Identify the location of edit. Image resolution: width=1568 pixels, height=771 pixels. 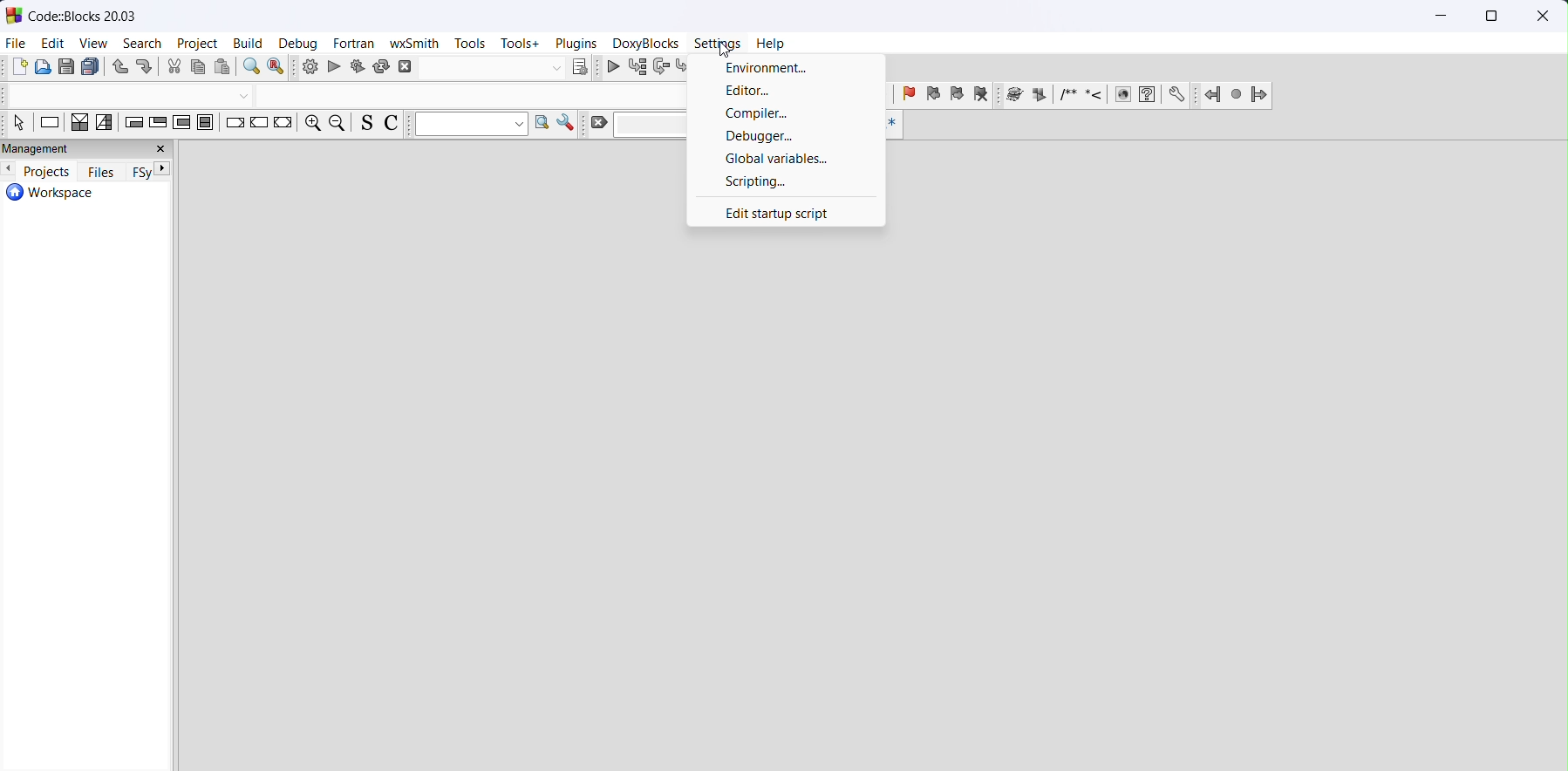
(52, 44).